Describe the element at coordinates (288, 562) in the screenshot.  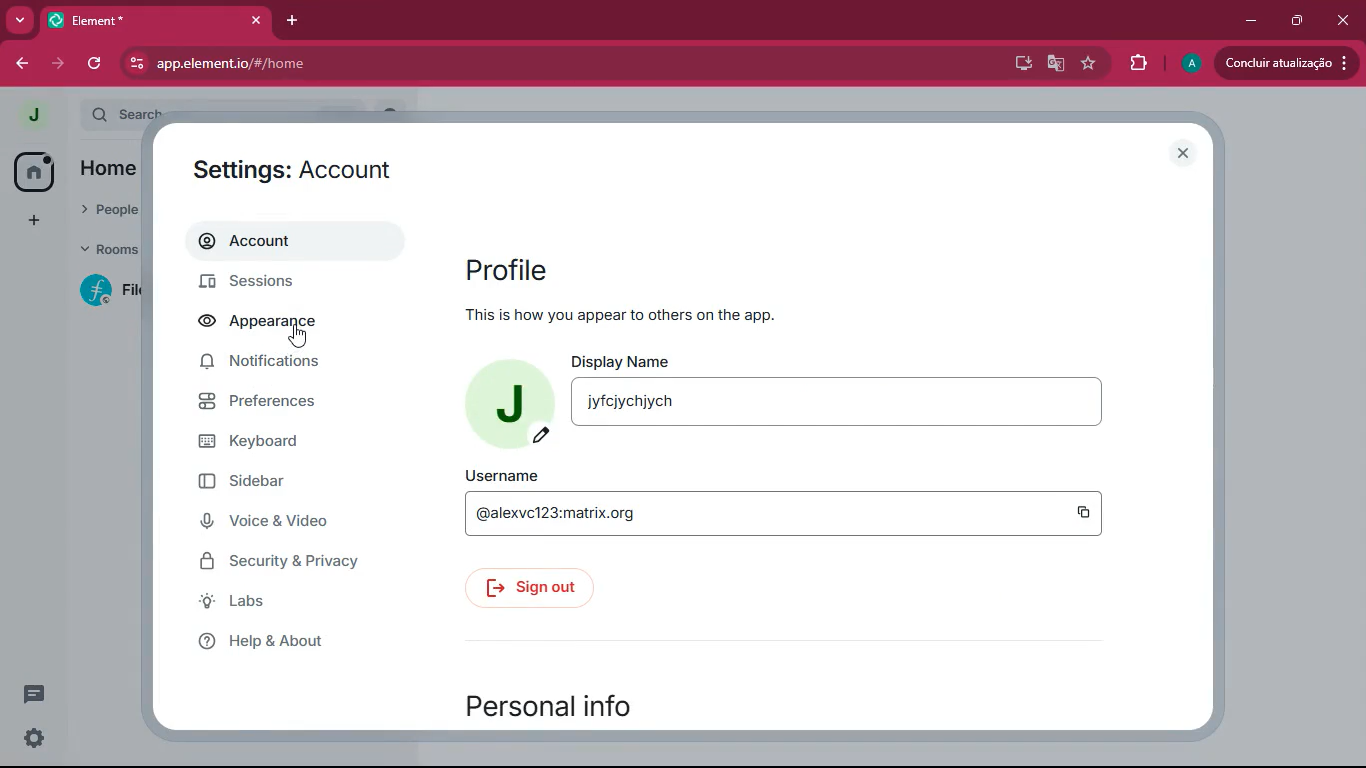
I see `Security & Privacy` at that location.